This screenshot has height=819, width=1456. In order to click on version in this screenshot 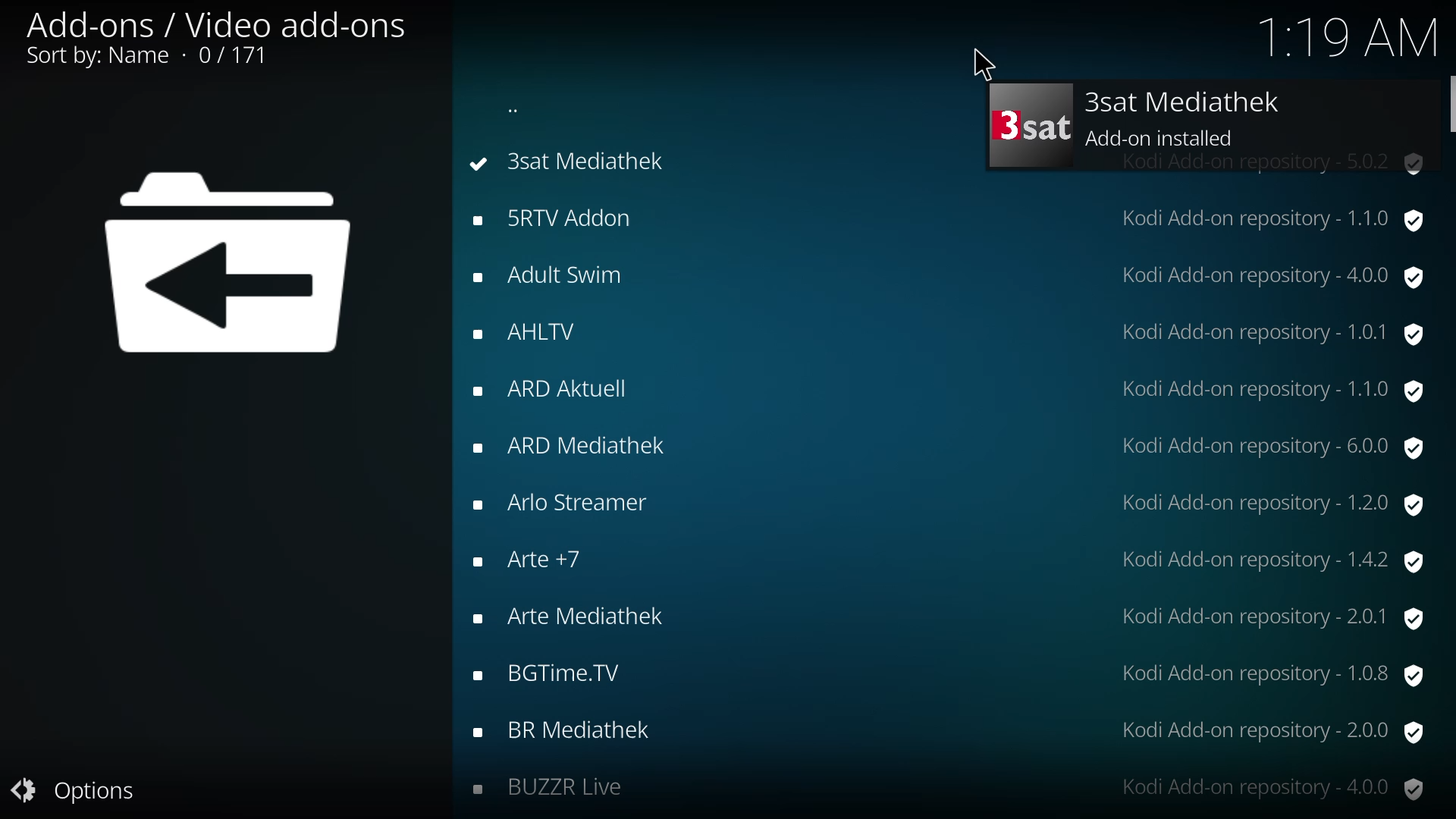, I will do `click(1265, 449)`.